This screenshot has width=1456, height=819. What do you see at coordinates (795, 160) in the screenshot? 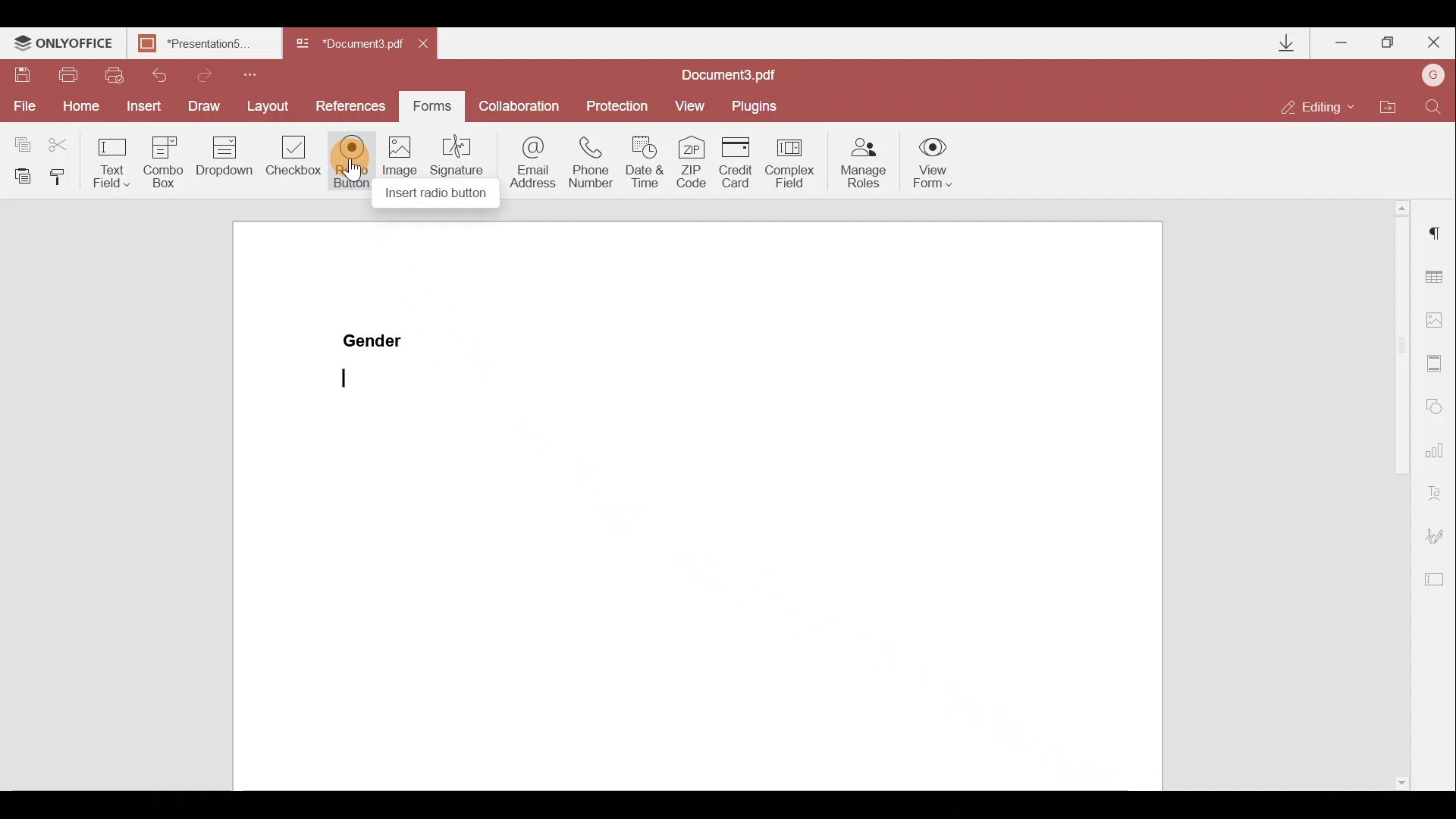
I see `Complex field` at bounding box center [795, 160].